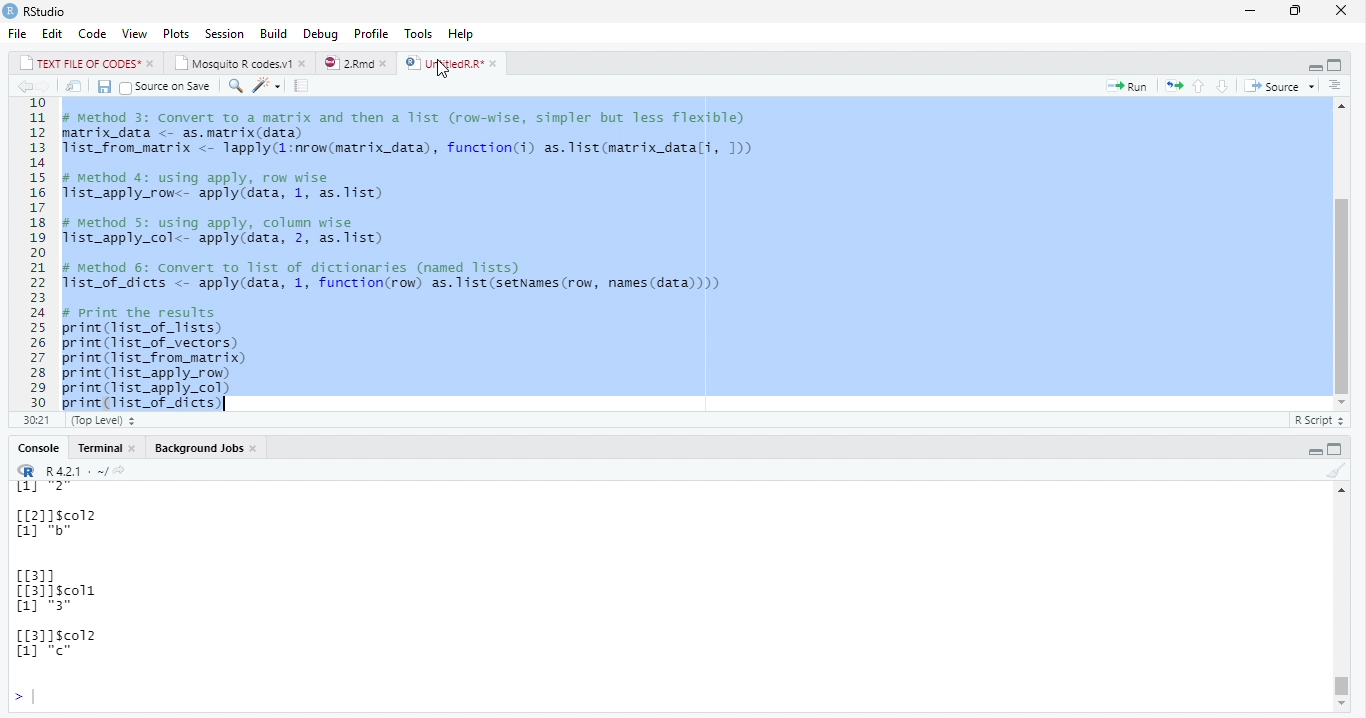 This screenshot has height=718, width=1366. Describe the element at coordinates (272, 33) in the screenshot. I see `Build` at that location.